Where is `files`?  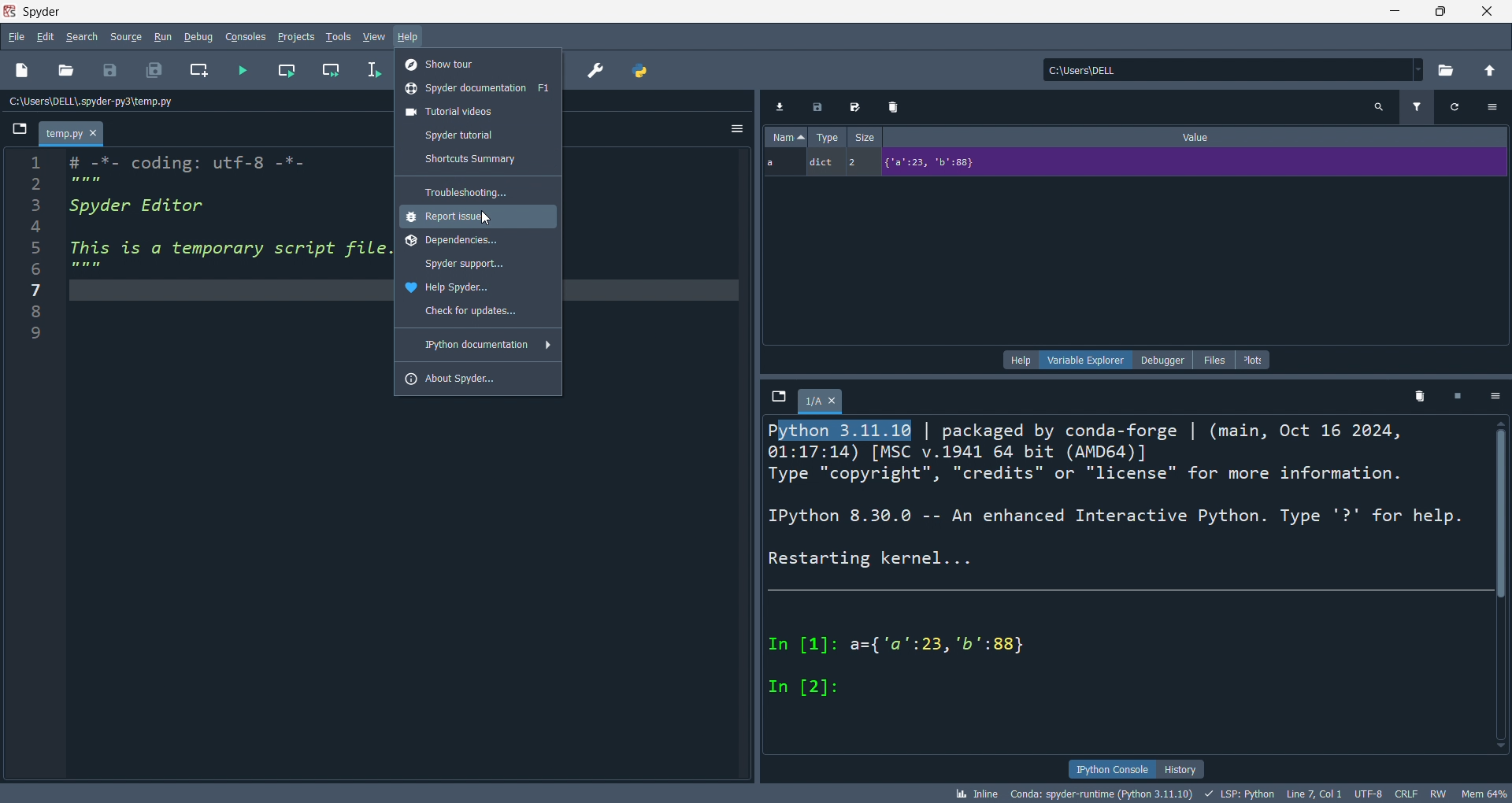
files is located at coordinates (1217, 359).